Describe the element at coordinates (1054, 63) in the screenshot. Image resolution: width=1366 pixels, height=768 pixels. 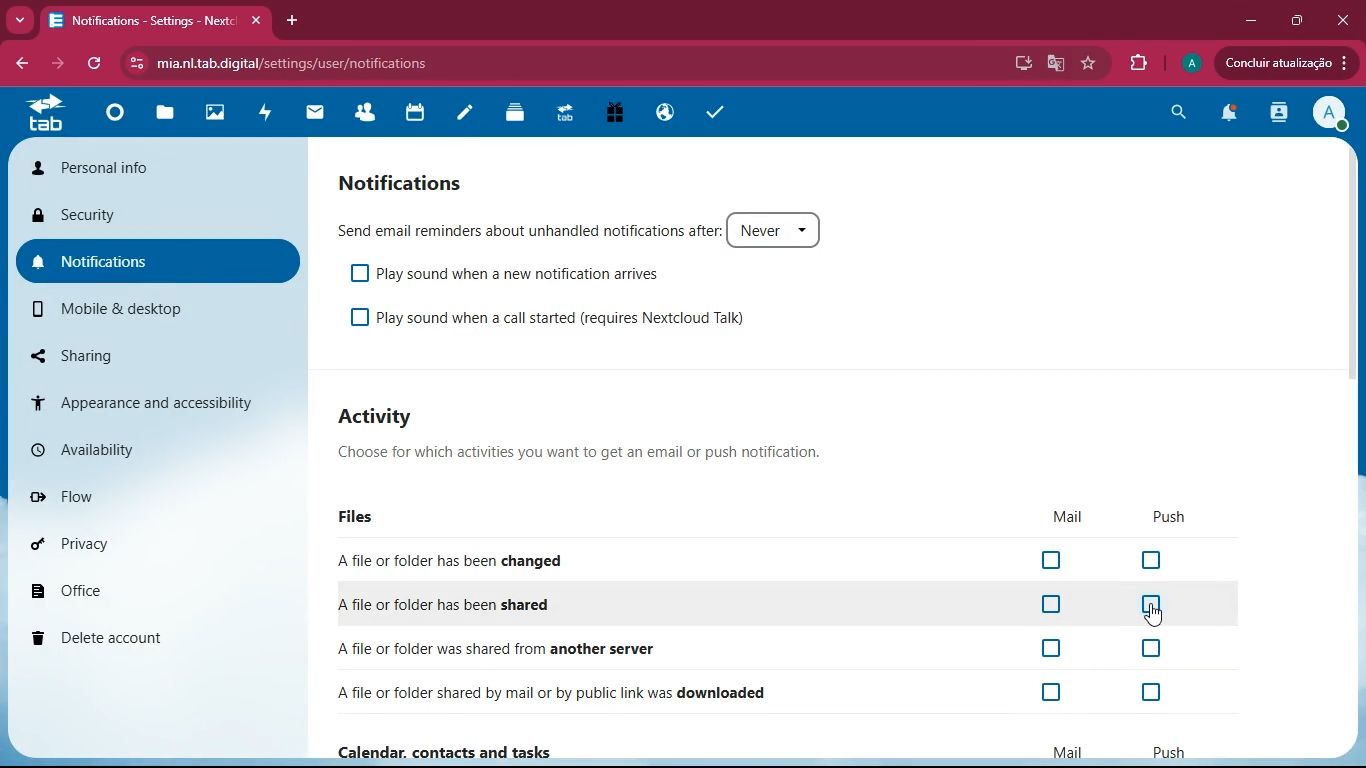
I see `google translate` at that location.